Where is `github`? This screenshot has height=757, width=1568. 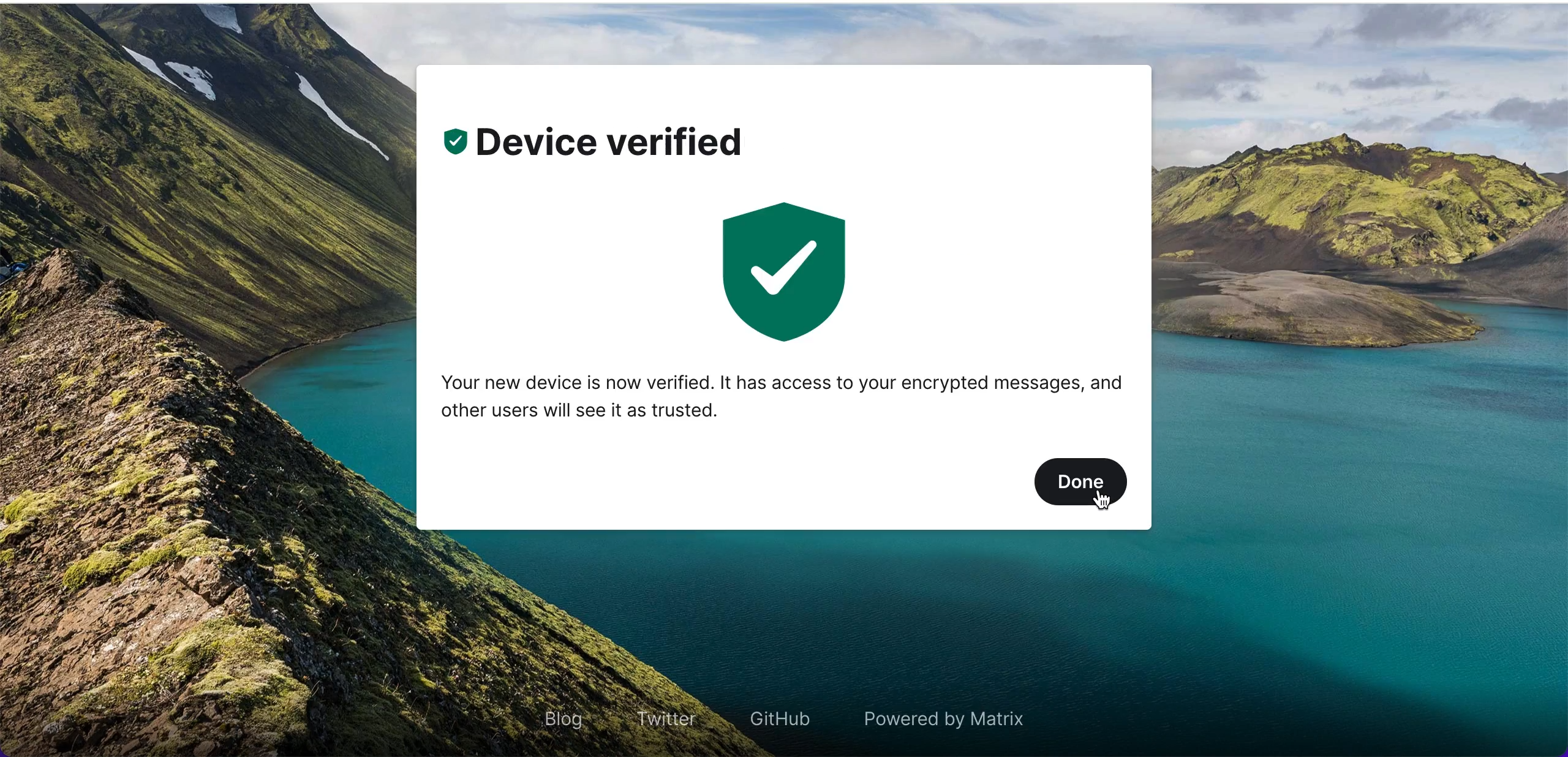 github is located at coordinates (786, 718).